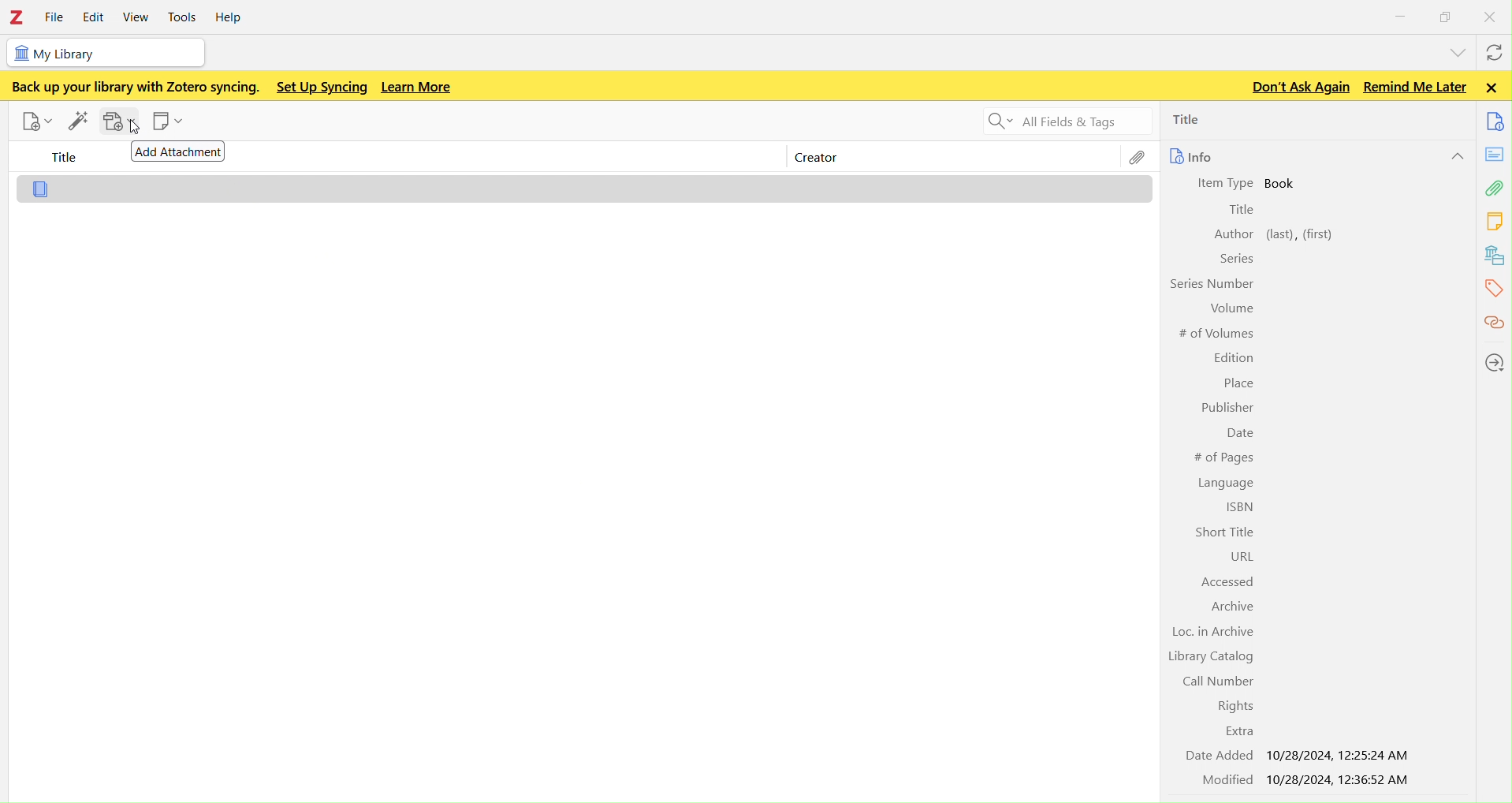  Describe the element at coordinates (1235, 260) in the screenshot. I see `Series` at that location.